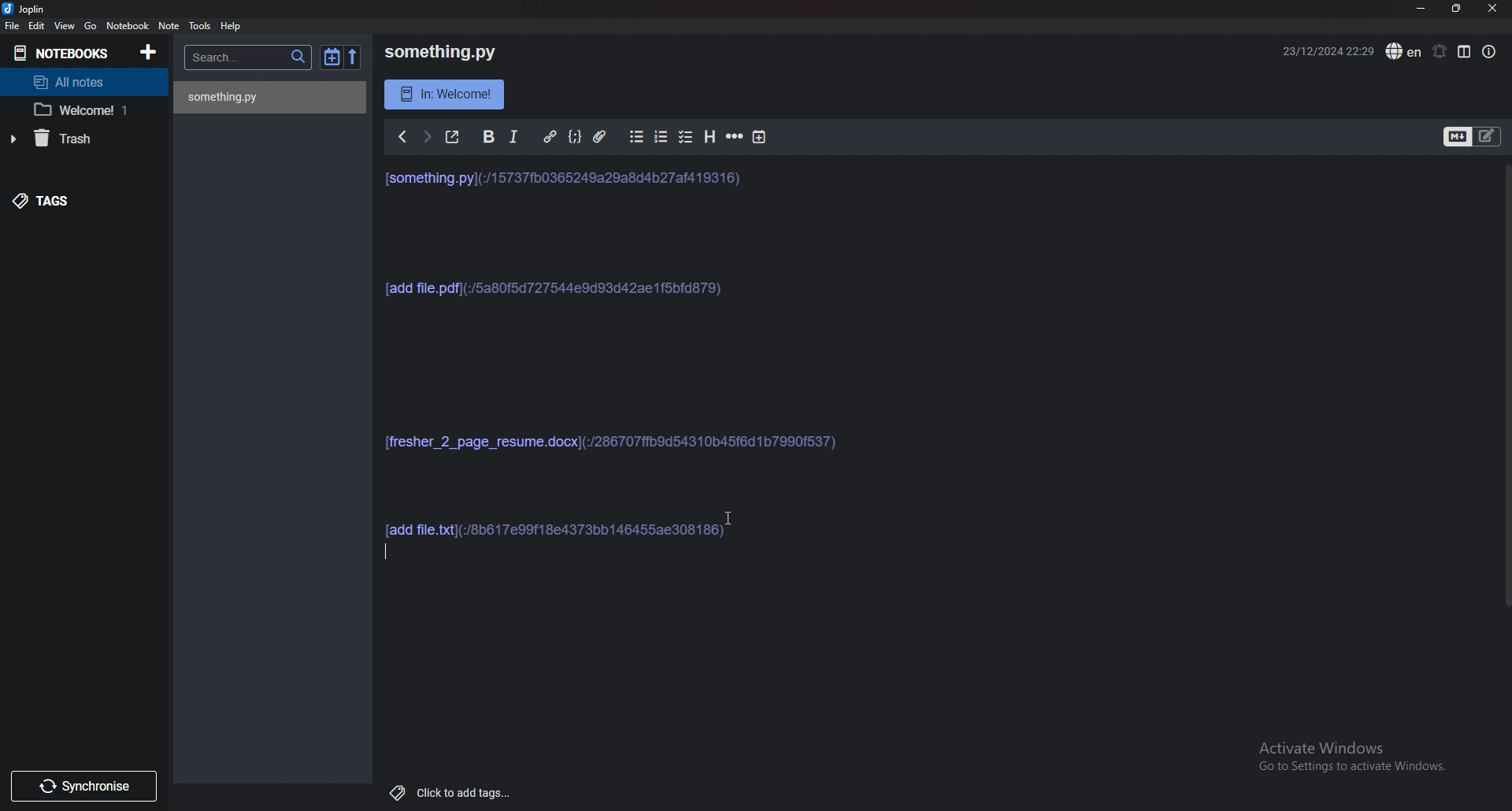  What do you see at coordinates (74, 80) in the screenshot?
I see `All notes` at bounding box center [74, 80].